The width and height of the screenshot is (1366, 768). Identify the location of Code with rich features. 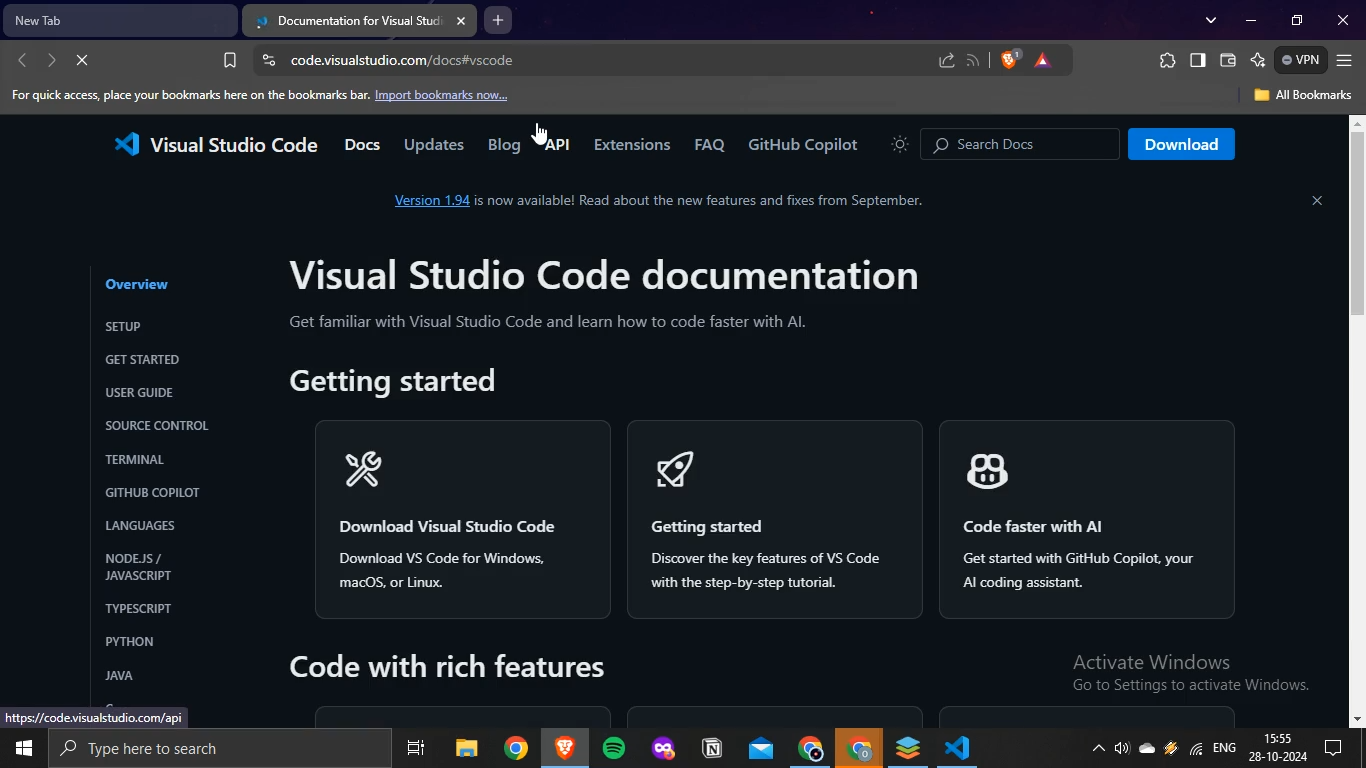
(454, 665).